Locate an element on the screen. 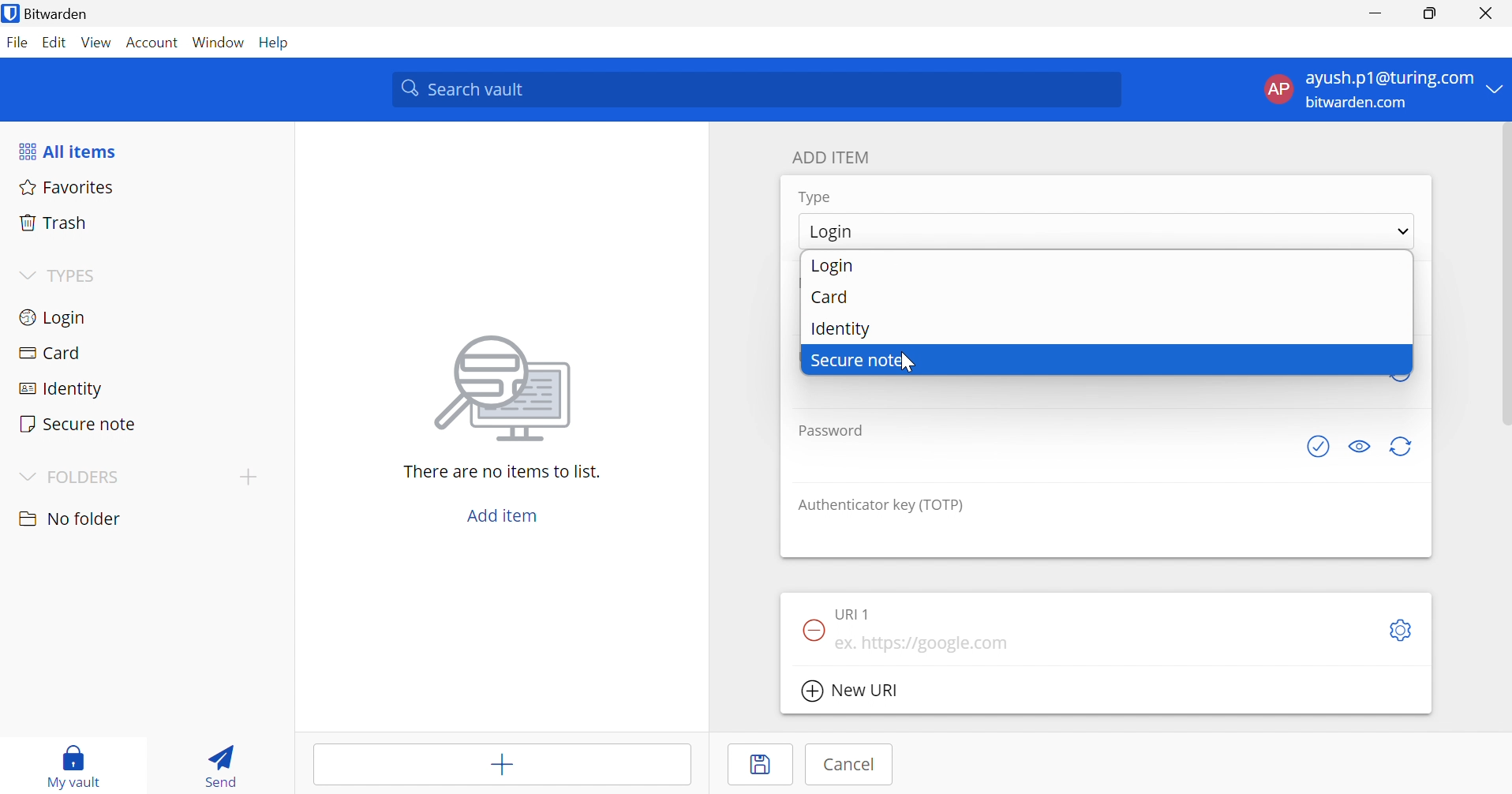  Window is located at coordinates (219, 43).